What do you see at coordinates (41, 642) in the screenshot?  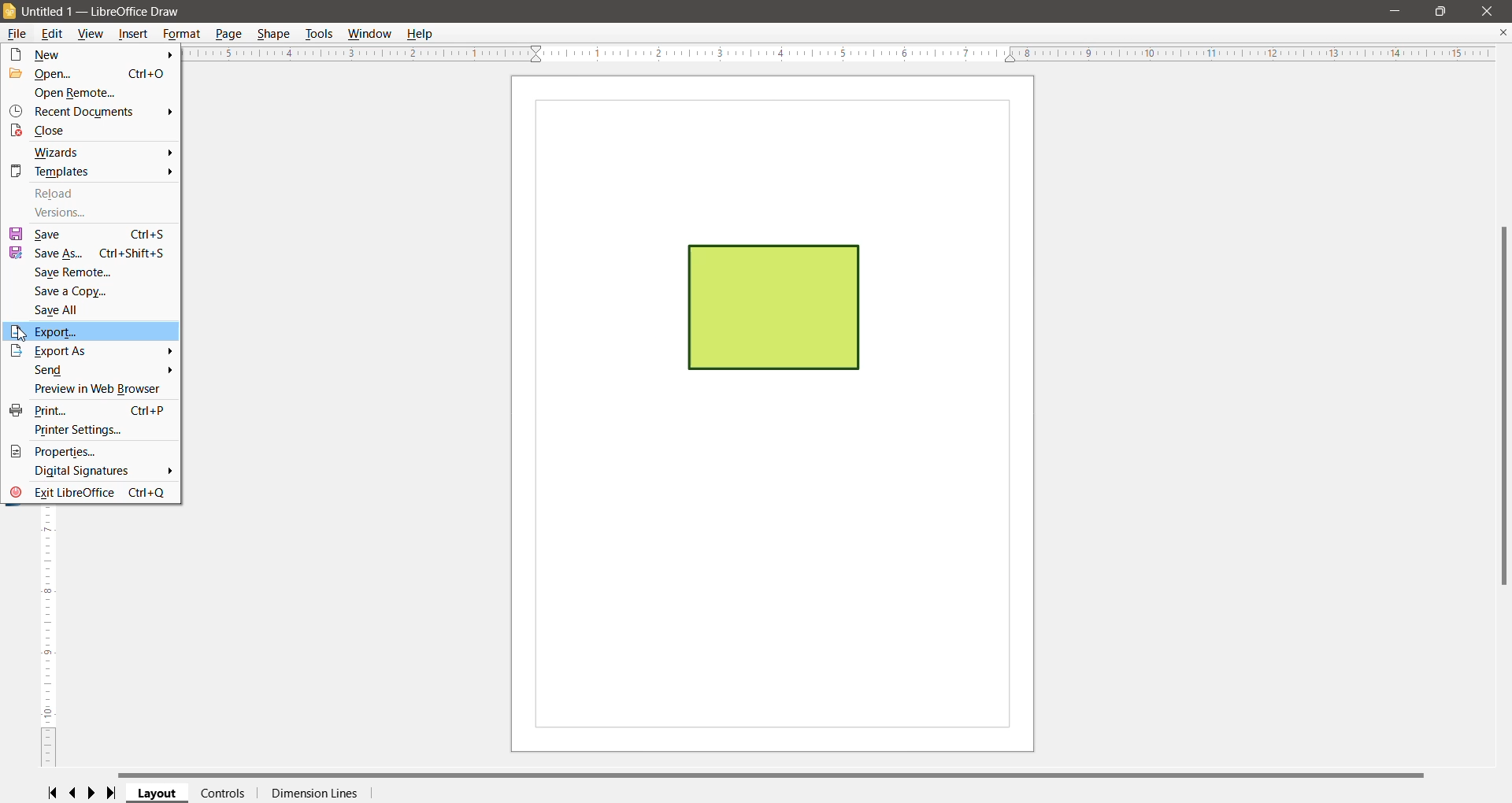 I see `vertical ruler` at bounding box center [41, 642].